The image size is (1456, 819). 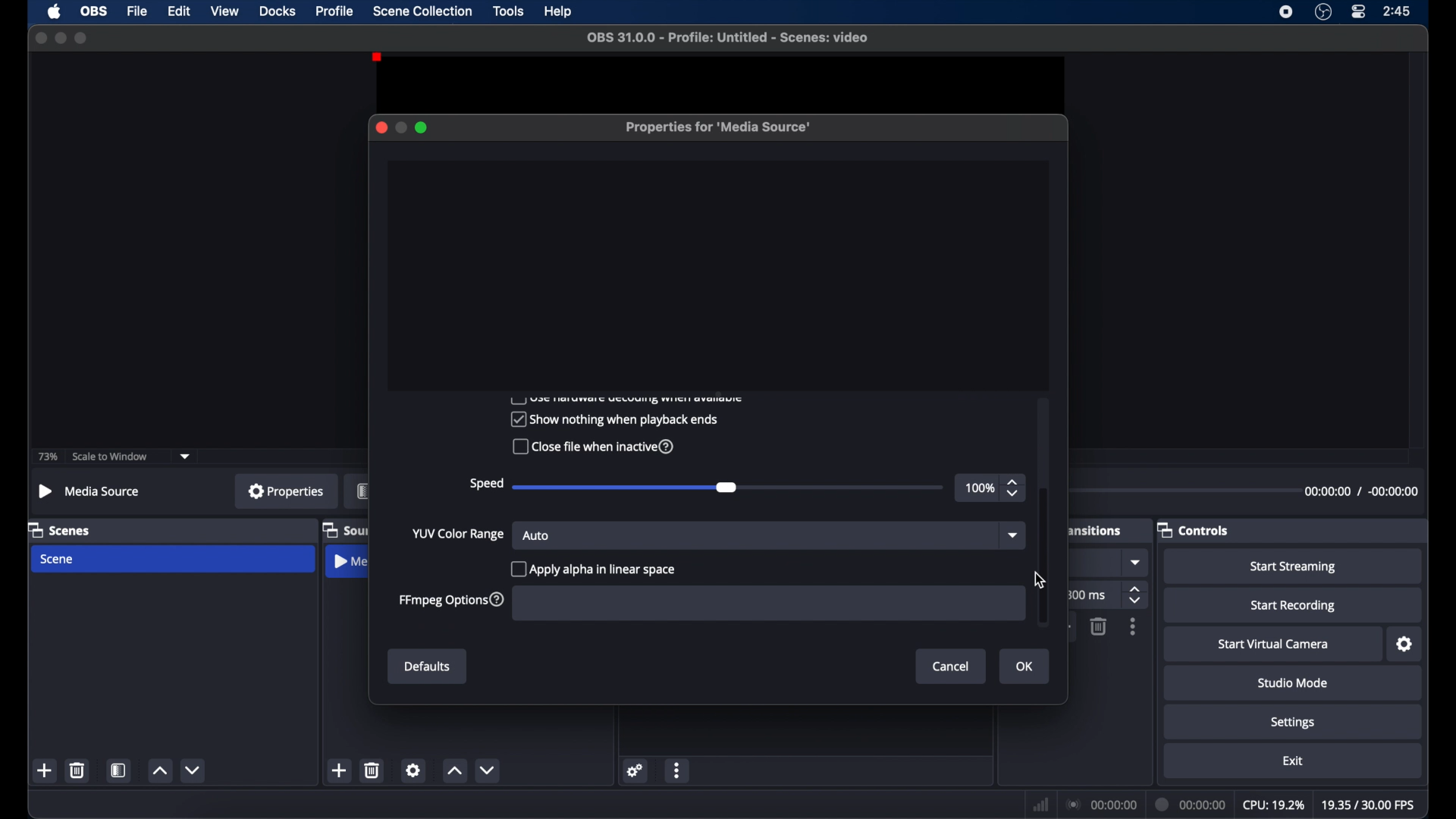 What do you see at coordinates (1398, 11) in the screenshot?
I see `time` at bounding box center [1398, 11].